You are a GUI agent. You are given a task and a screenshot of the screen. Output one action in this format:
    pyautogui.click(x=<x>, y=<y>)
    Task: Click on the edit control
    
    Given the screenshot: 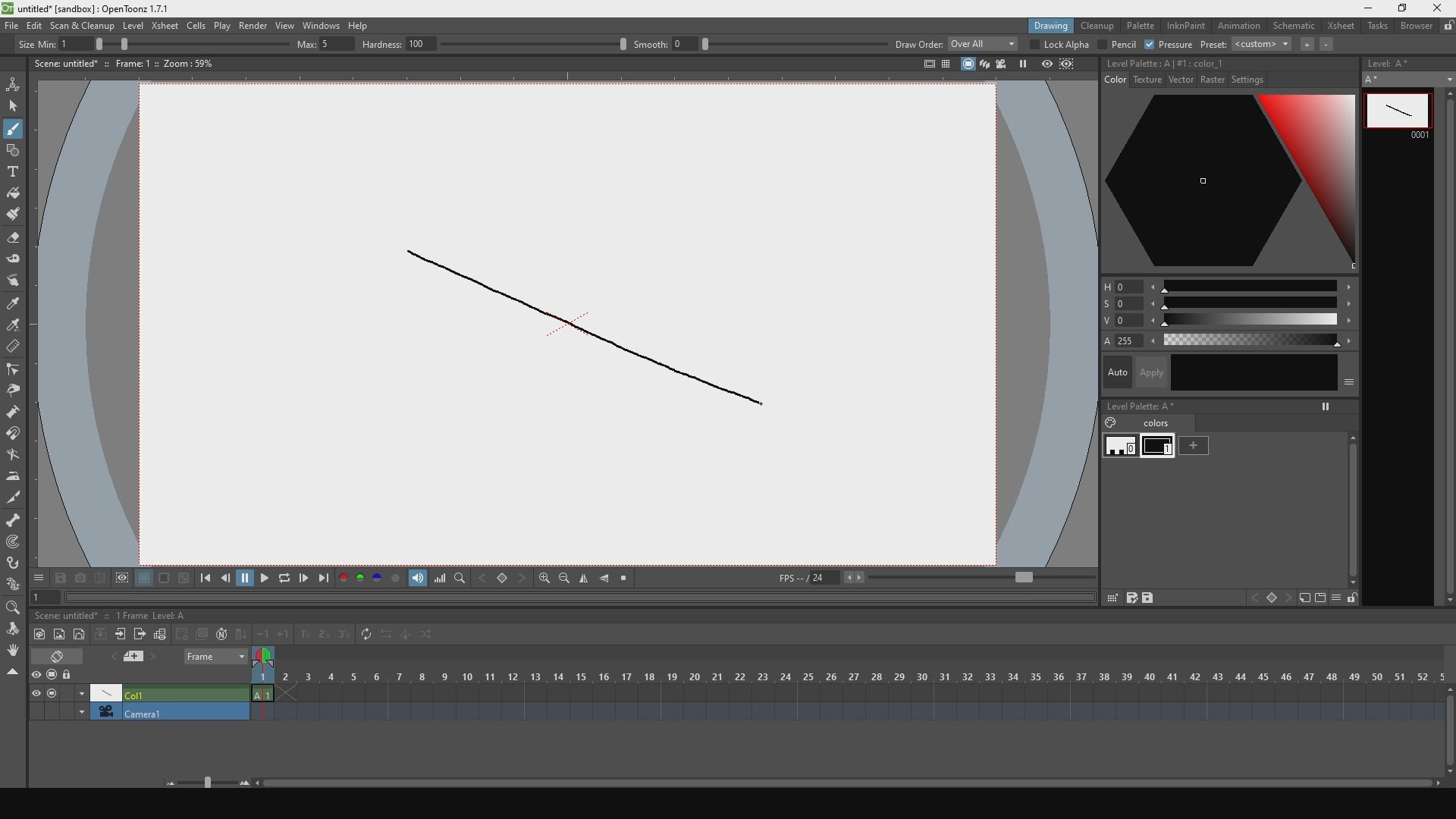 What is the action you would take?
    pyautogui.click(x=14, y=371)
    